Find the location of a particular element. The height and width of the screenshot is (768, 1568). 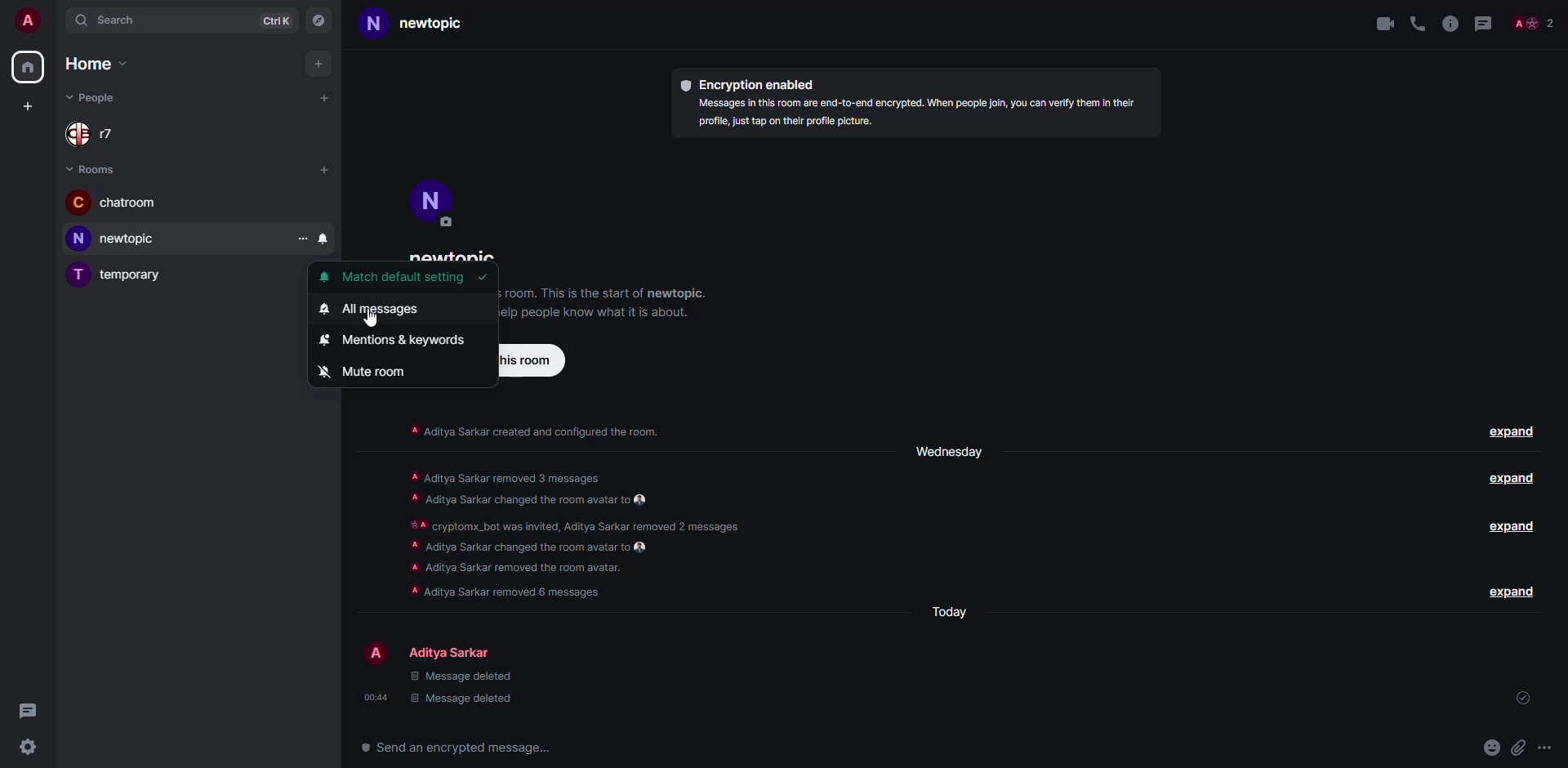

video is located at coordinates (1382, 25).